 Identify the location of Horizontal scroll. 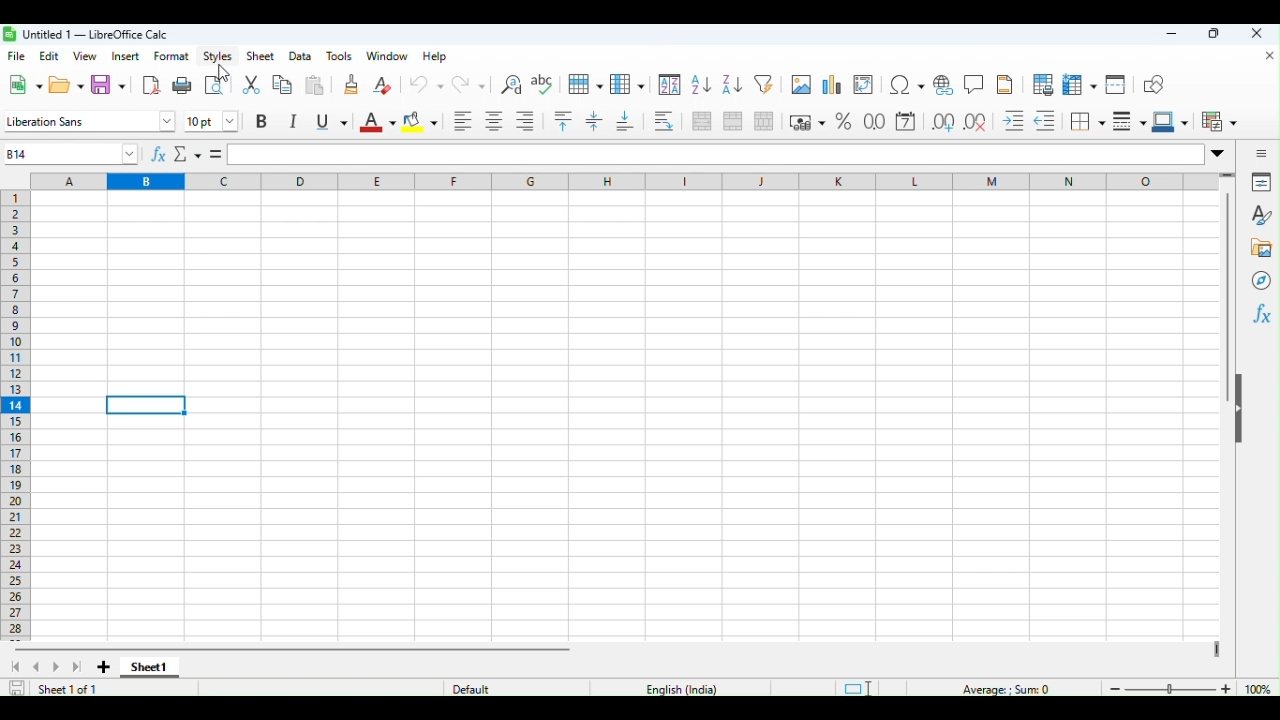
(296, 647).